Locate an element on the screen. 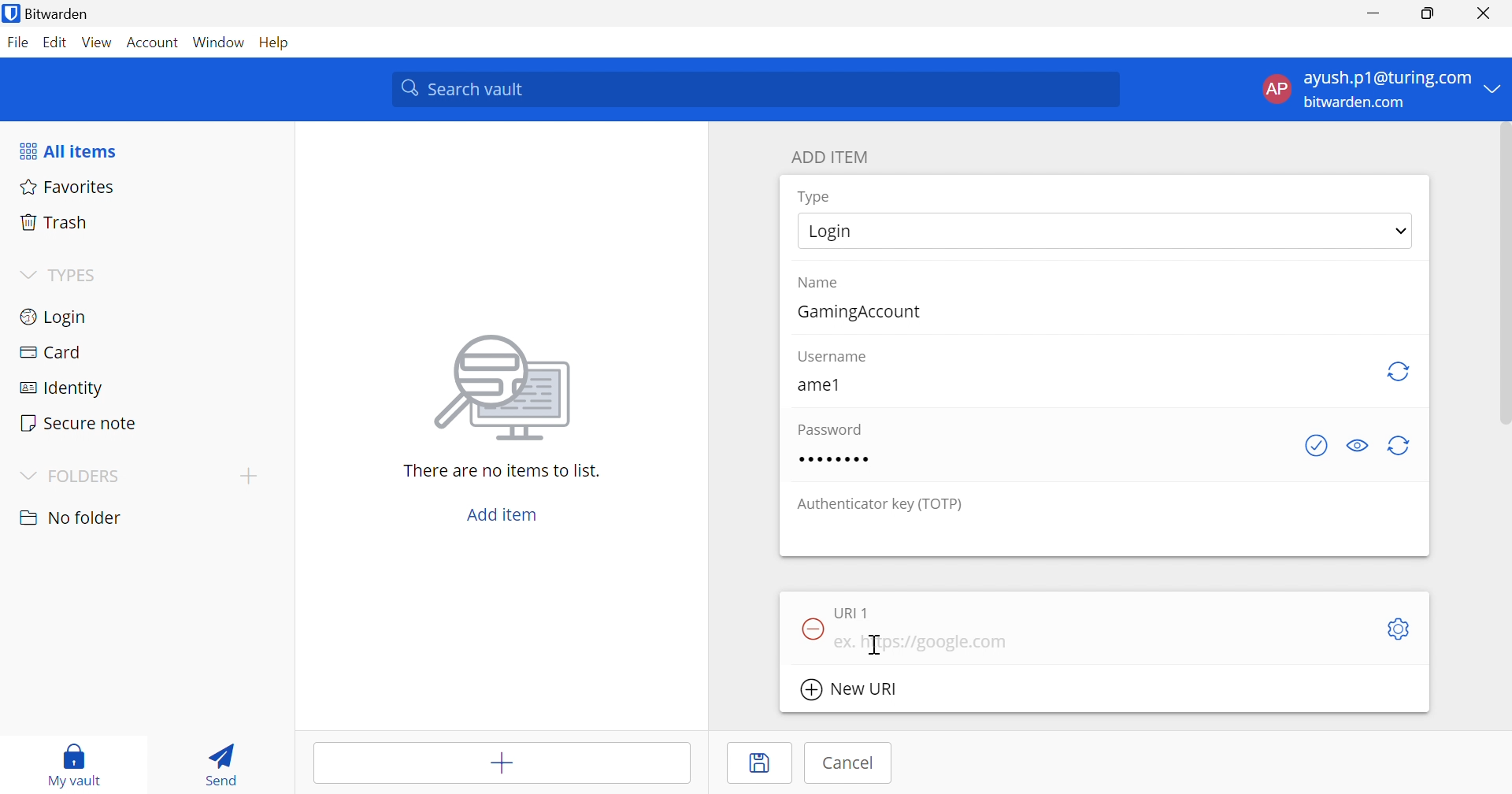  Login is located at coordinates (55, 317).